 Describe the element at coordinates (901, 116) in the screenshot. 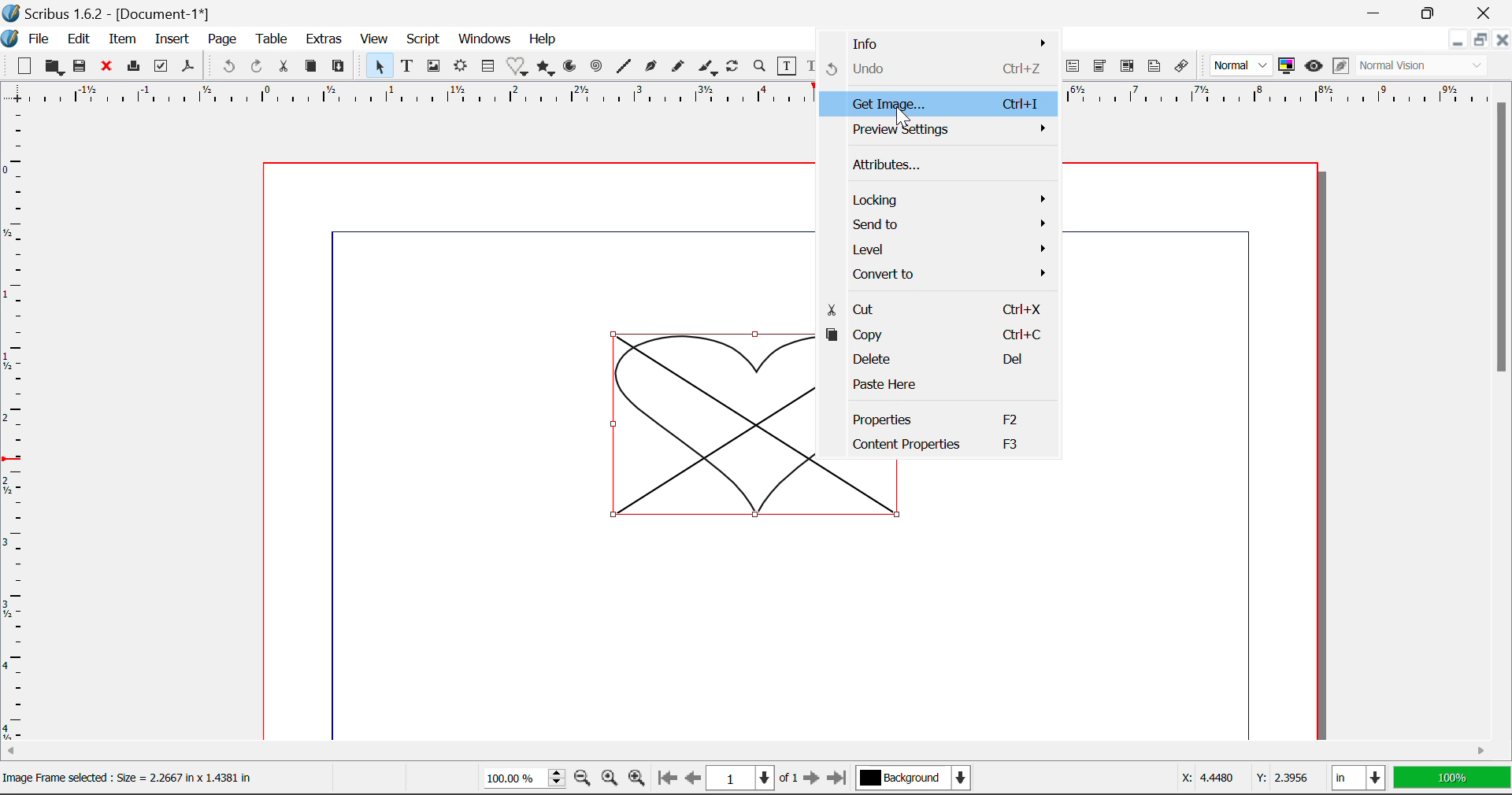

I see `Cursor ` at that location.